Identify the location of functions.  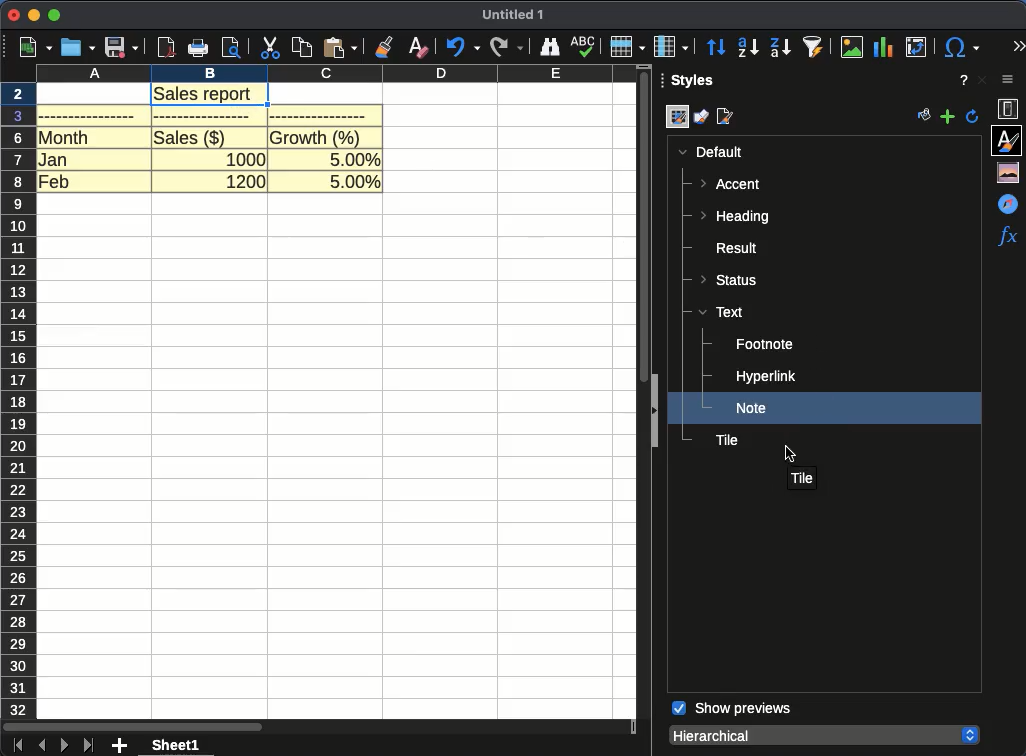
(1007, 235).